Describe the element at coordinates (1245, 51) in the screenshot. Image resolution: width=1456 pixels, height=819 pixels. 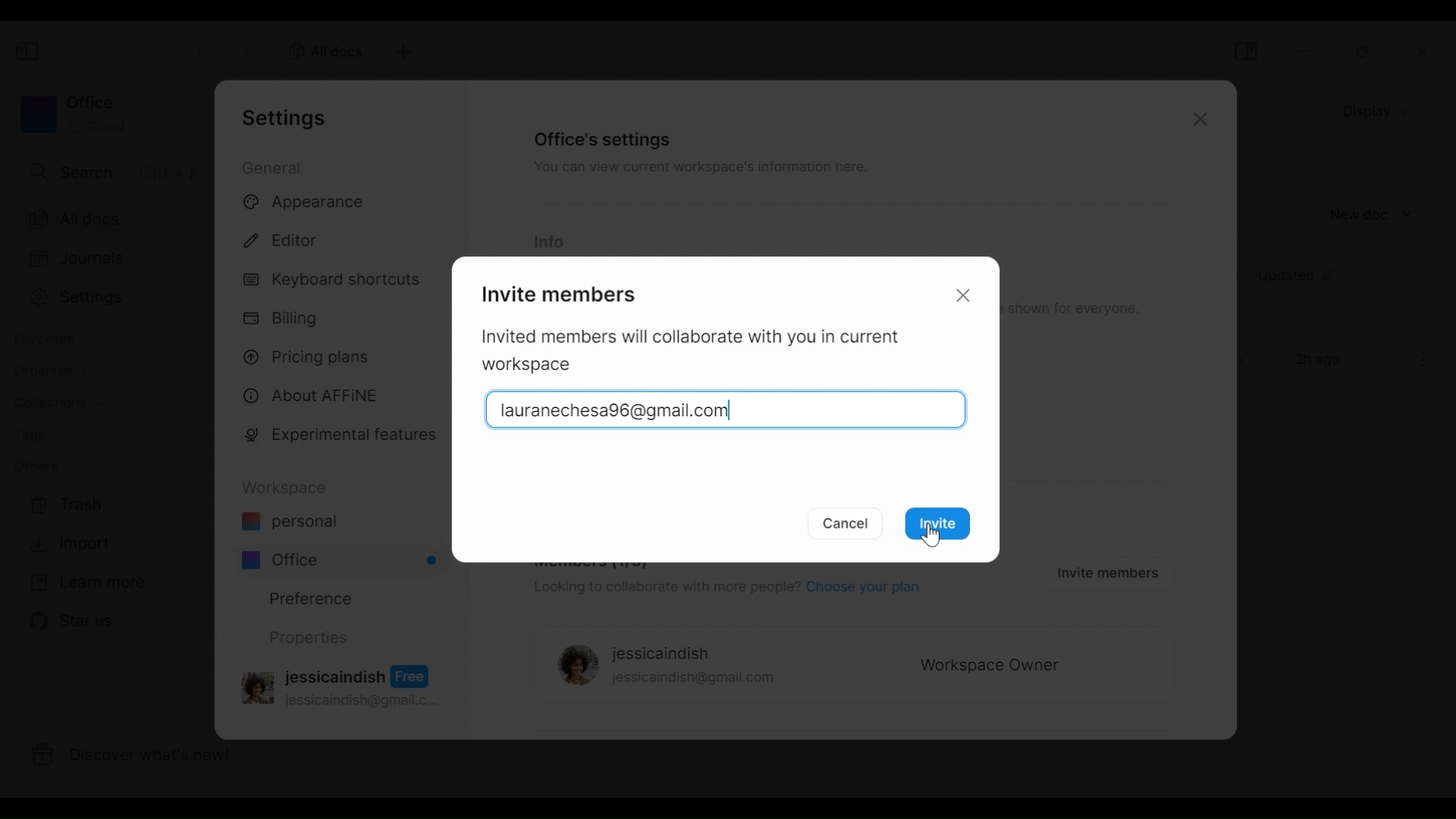
I see `Show/Hide Sidebar` at that location.